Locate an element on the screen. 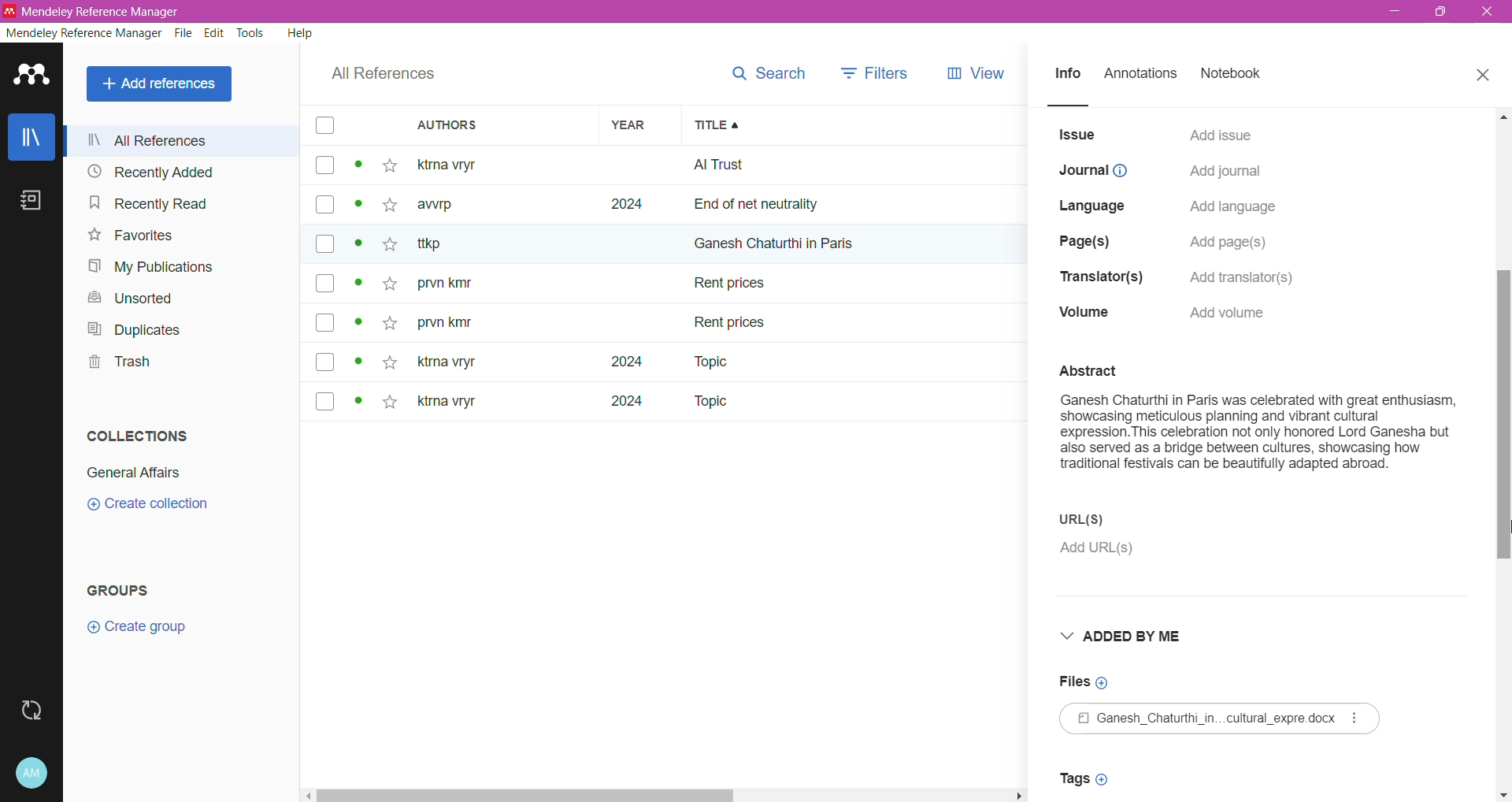 The image size is (1512, 802). Create Group is located at coordinates (145, 628).